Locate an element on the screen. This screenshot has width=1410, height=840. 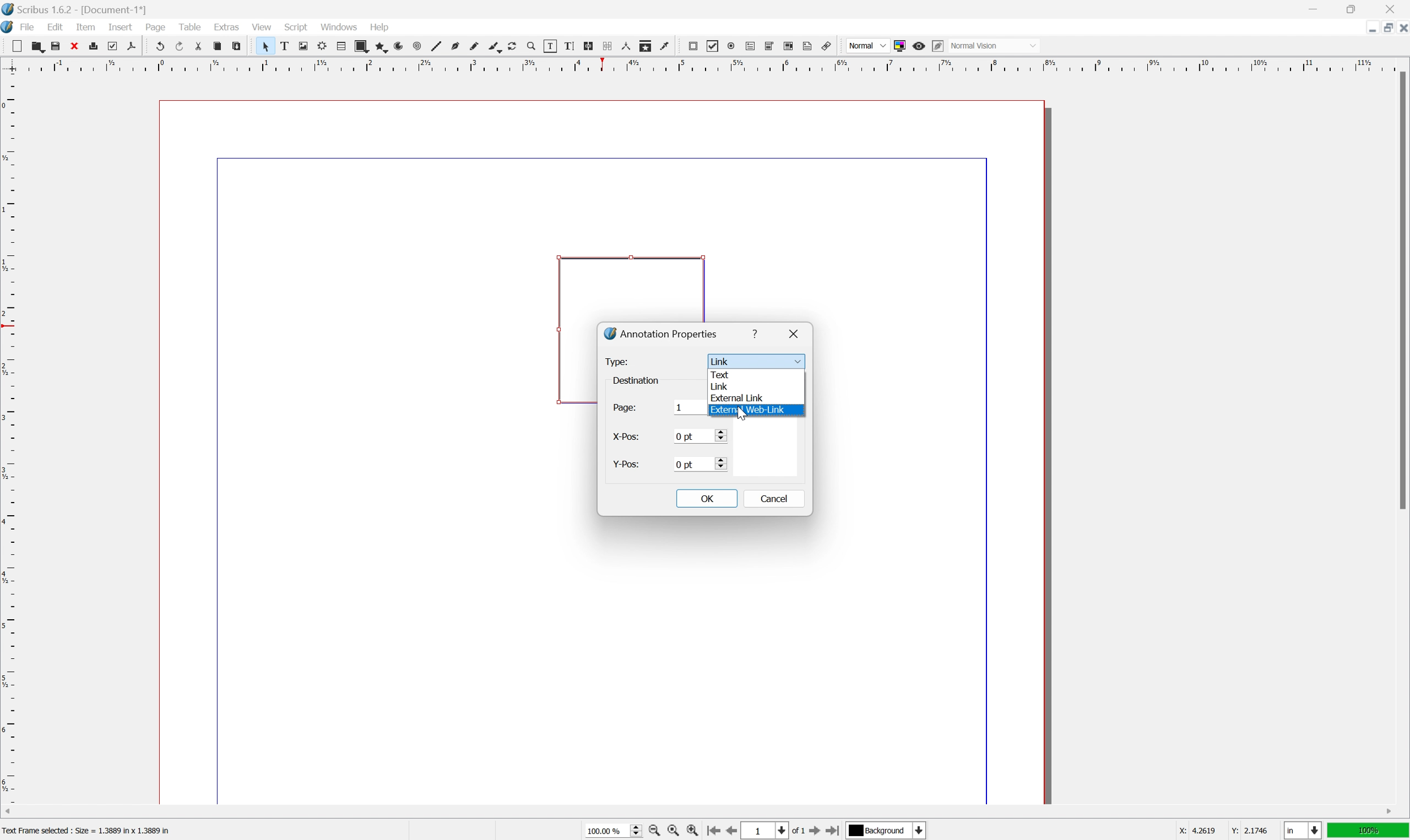
File is located at coordinates (28, 27).